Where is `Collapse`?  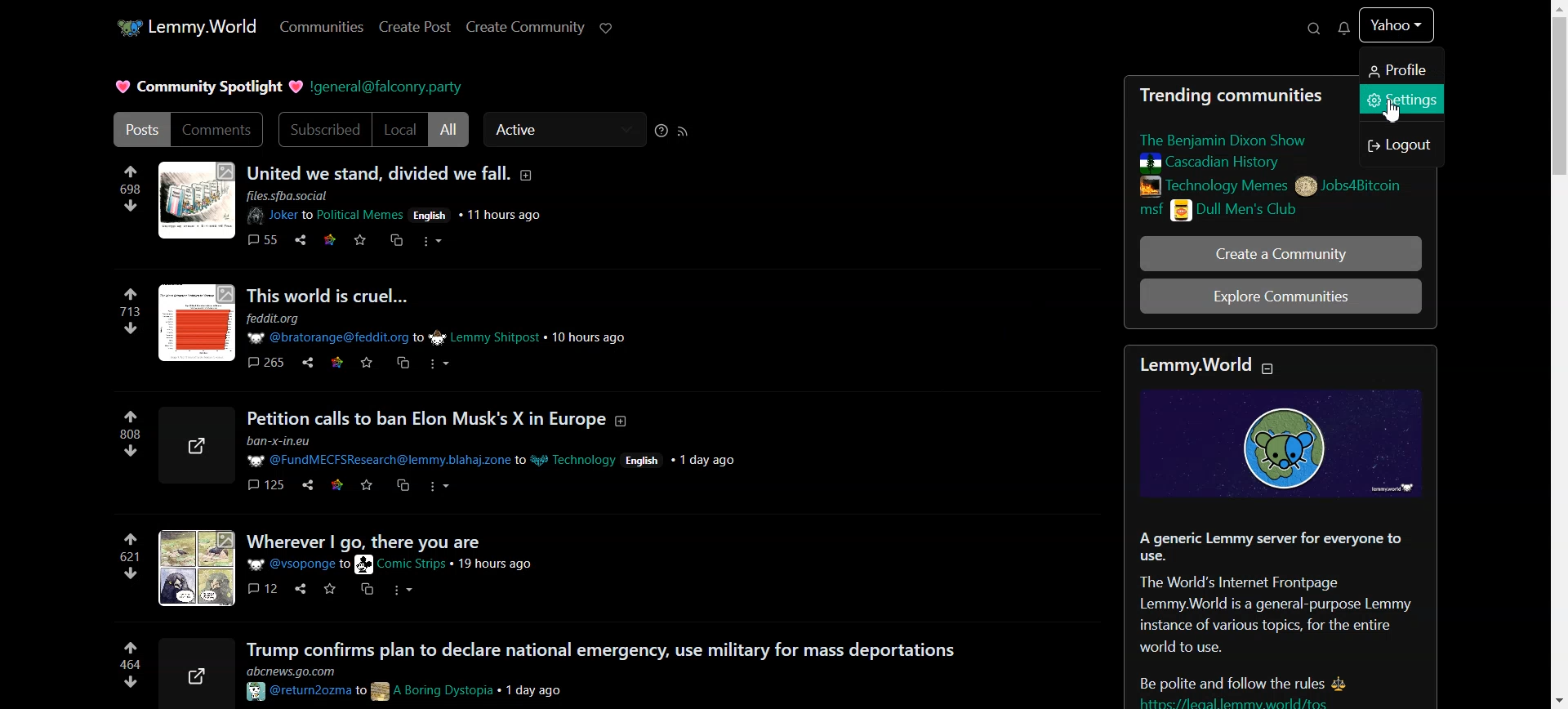
Collapse is located at coordinates (1271, 370).